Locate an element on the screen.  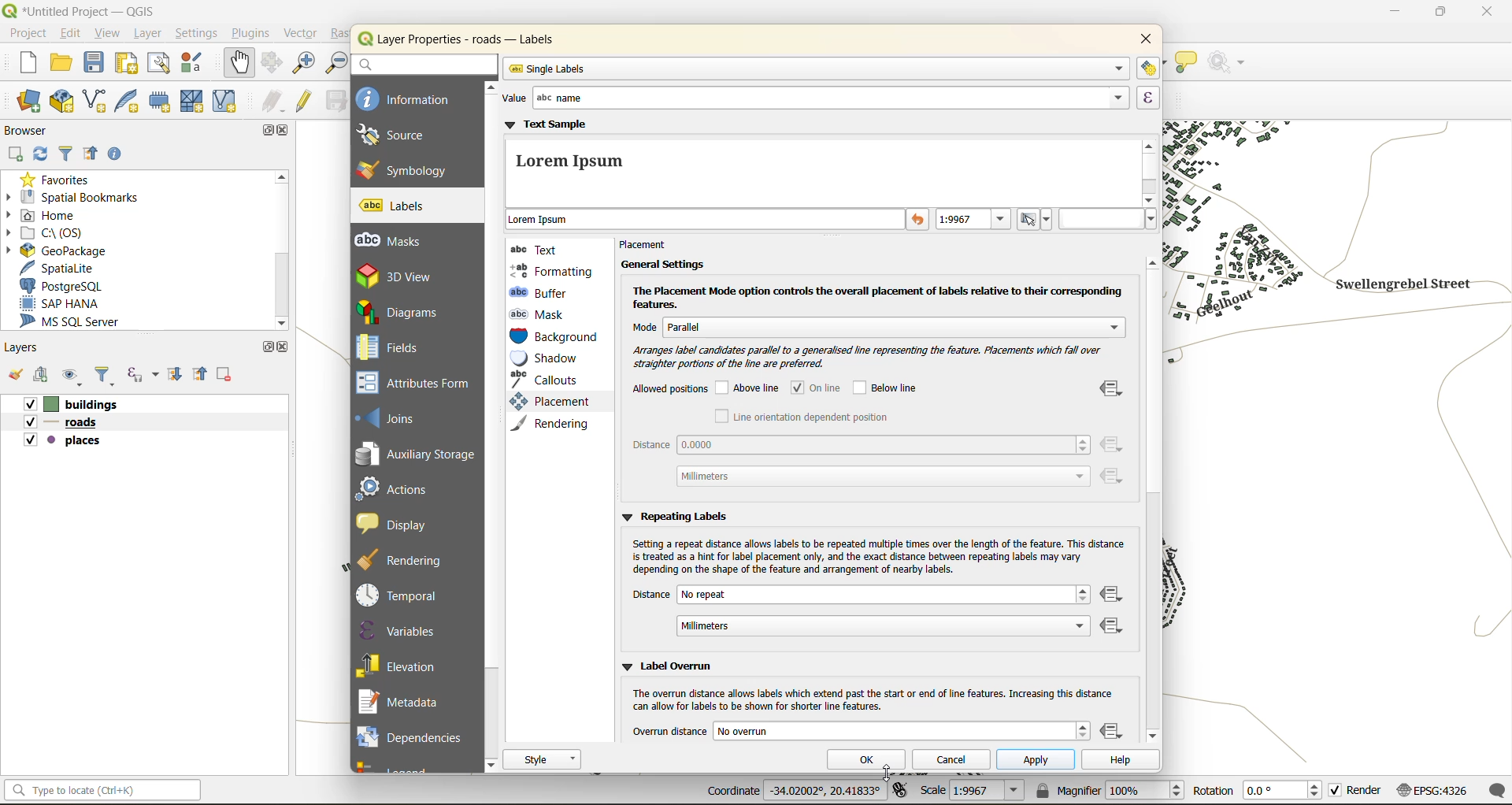
elevation is located at coordinates (403, 664).